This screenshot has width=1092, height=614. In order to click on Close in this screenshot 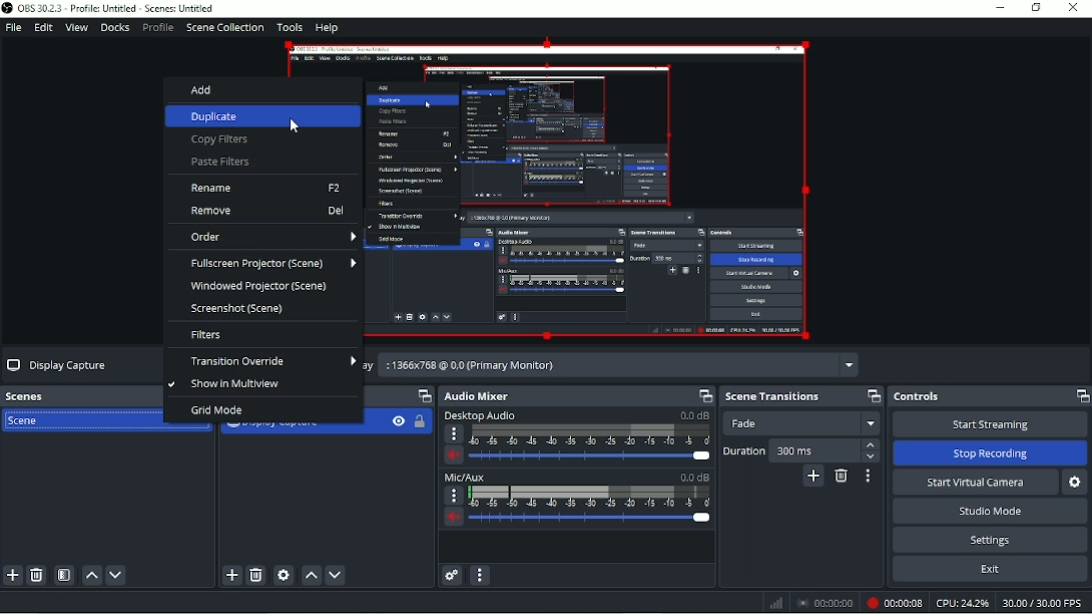, I will do `click(1074, 9)`.